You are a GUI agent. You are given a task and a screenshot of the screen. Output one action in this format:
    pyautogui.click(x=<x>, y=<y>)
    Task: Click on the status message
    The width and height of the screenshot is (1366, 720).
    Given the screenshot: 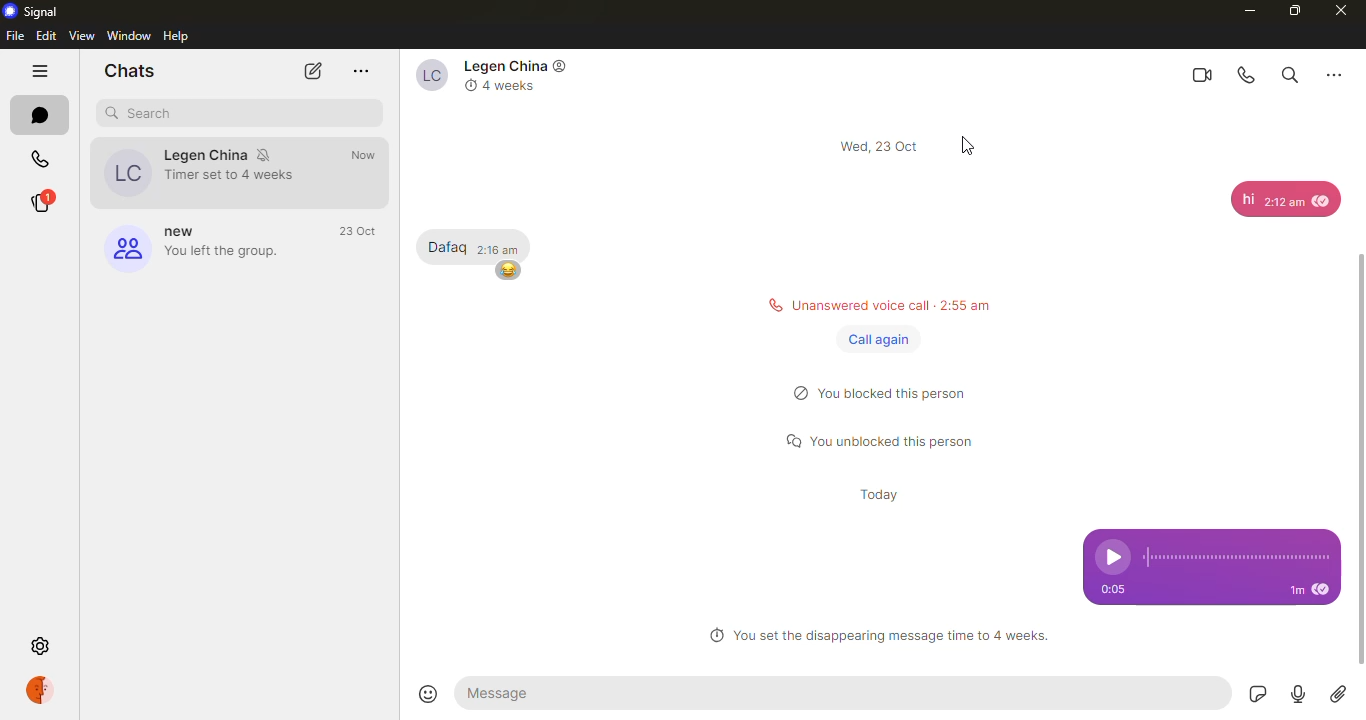 What is the action you would take?
    pyautogui.click(x=886, y=395)
    